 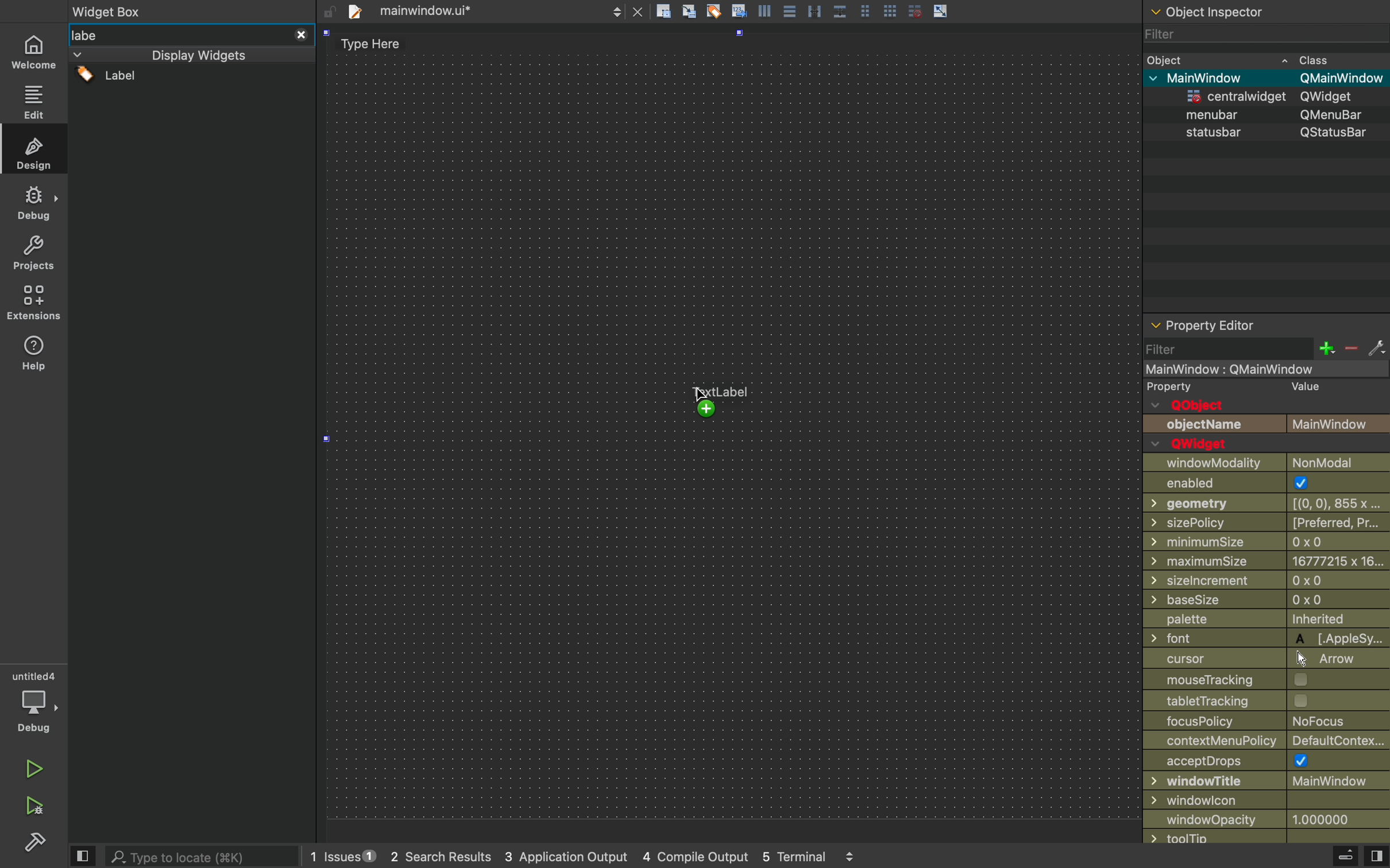 What do you see at coordinates (891, 9) in the screenshot?
I see `grid` at bounding box center [891, 9].